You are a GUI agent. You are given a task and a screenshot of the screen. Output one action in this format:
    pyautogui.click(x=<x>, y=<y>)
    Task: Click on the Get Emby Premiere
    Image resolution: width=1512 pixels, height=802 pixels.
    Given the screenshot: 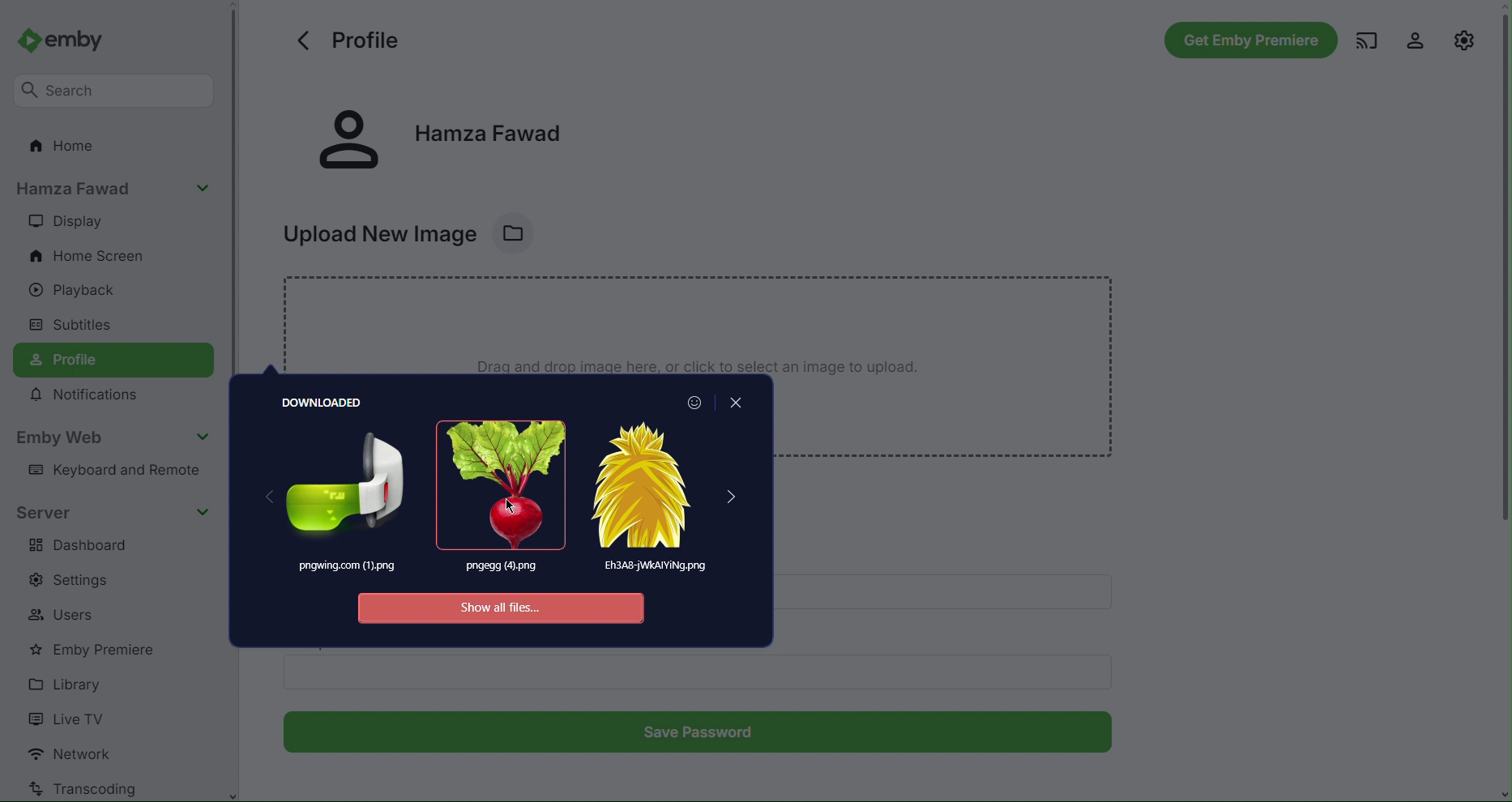 What is the action you would take?
    pyautogui.click(x=1248, y=41)
    